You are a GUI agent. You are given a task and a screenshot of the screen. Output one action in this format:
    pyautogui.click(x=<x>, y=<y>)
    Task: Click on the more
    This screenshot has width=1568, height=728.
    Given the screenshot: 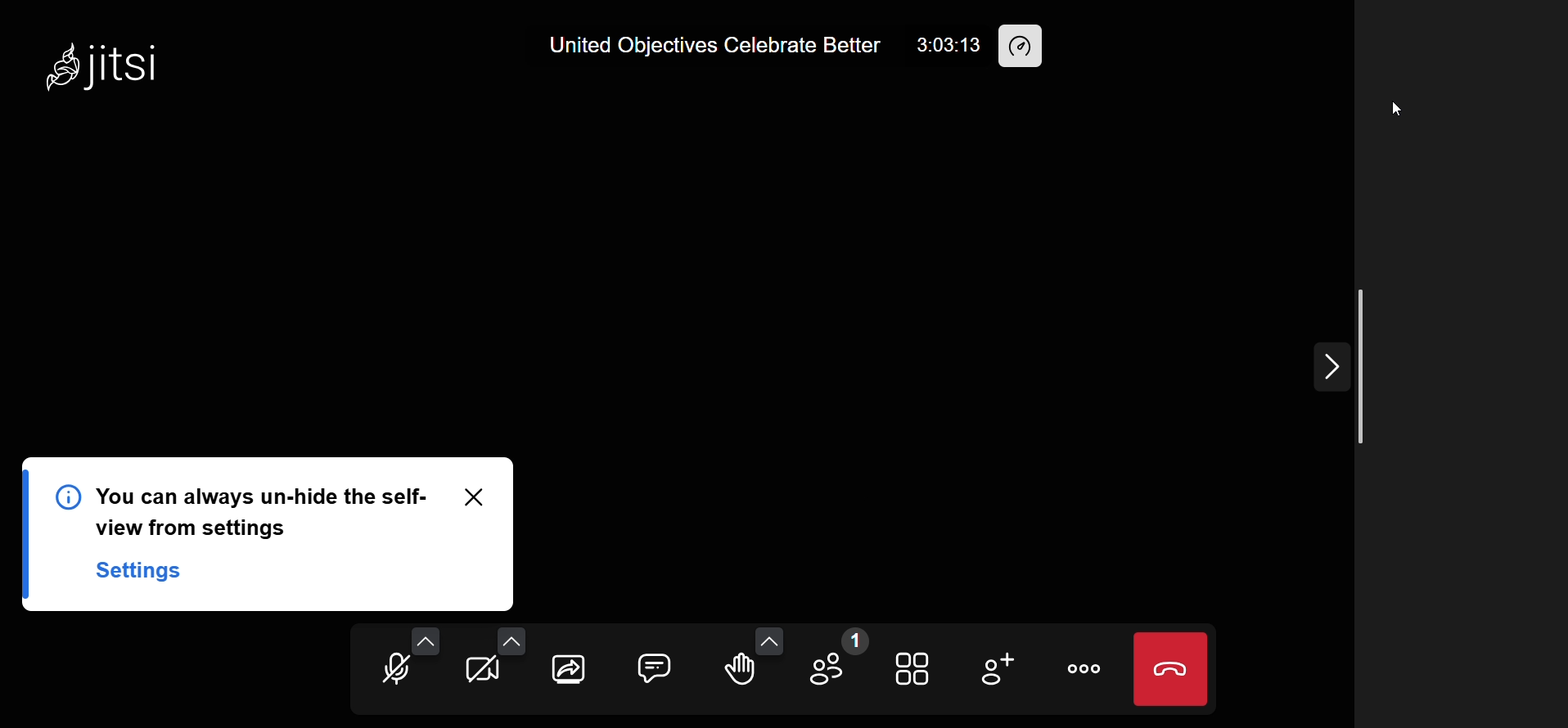 What is the action you would take?
    pyautogui.click(x=1088, y=667)
    